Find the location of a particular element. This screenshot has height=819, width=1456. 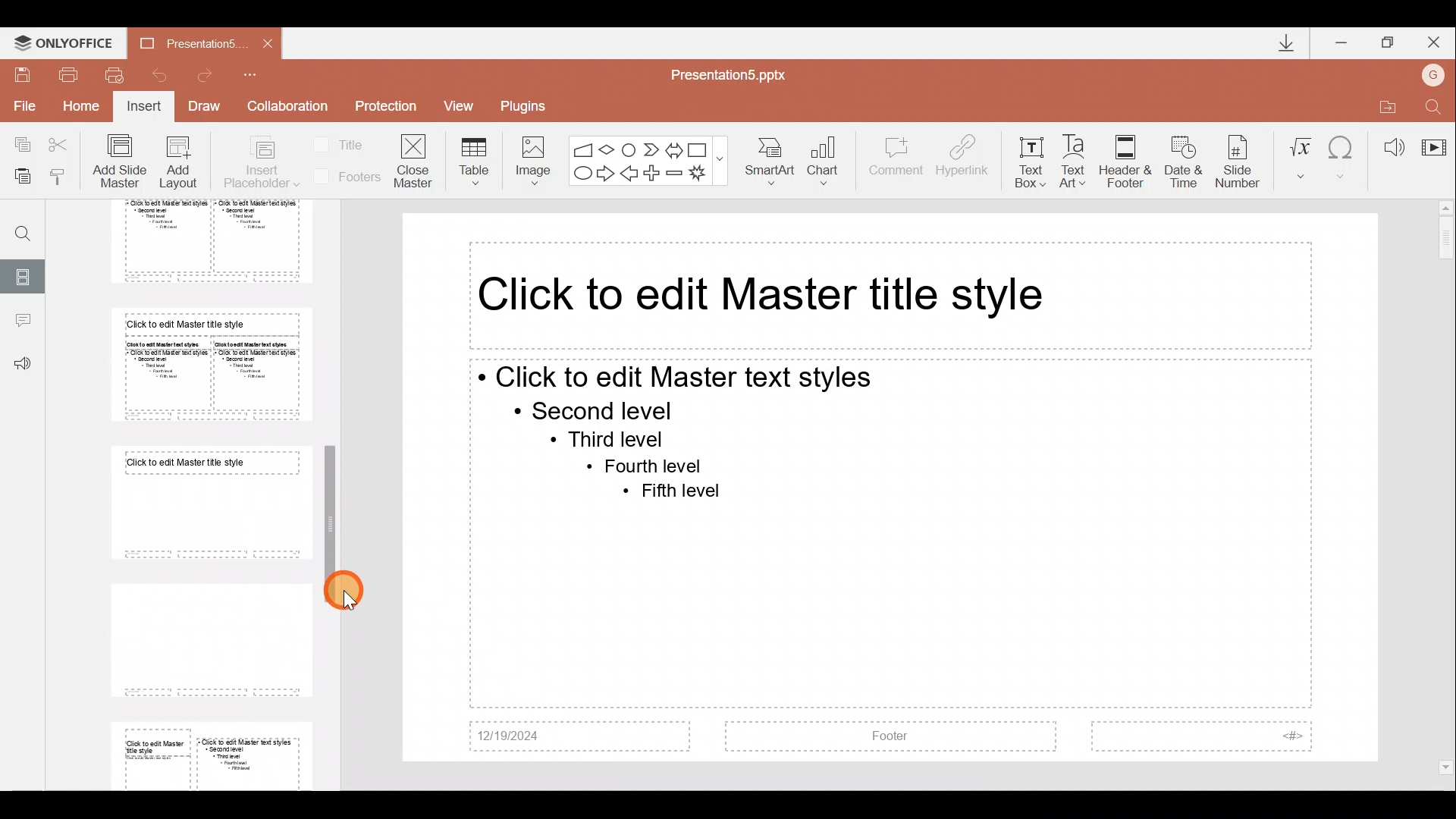

Insert placeholder is located at coordinates (260, 163).